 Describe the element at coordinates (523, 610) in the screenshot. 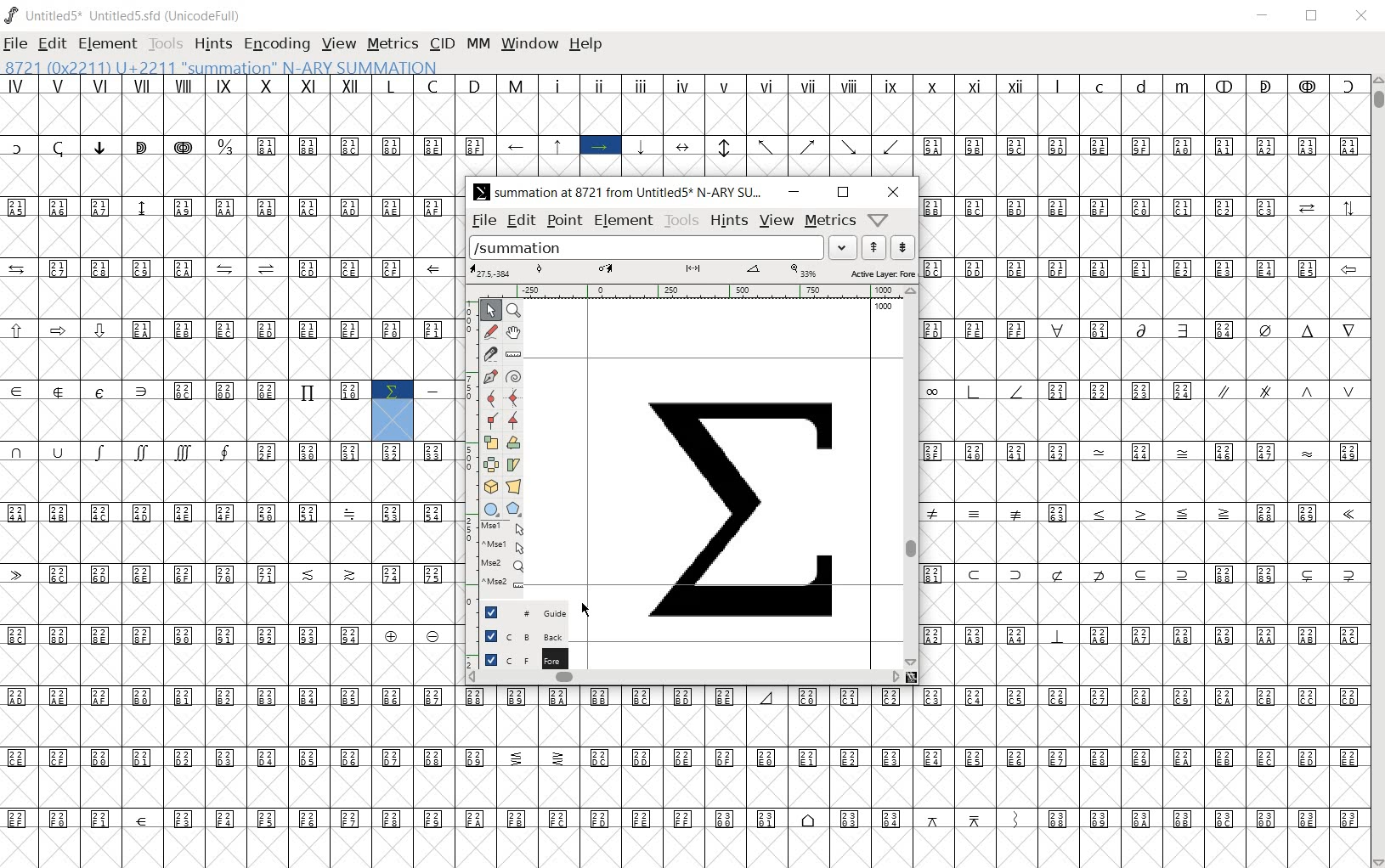

I see `Guide` at that location.